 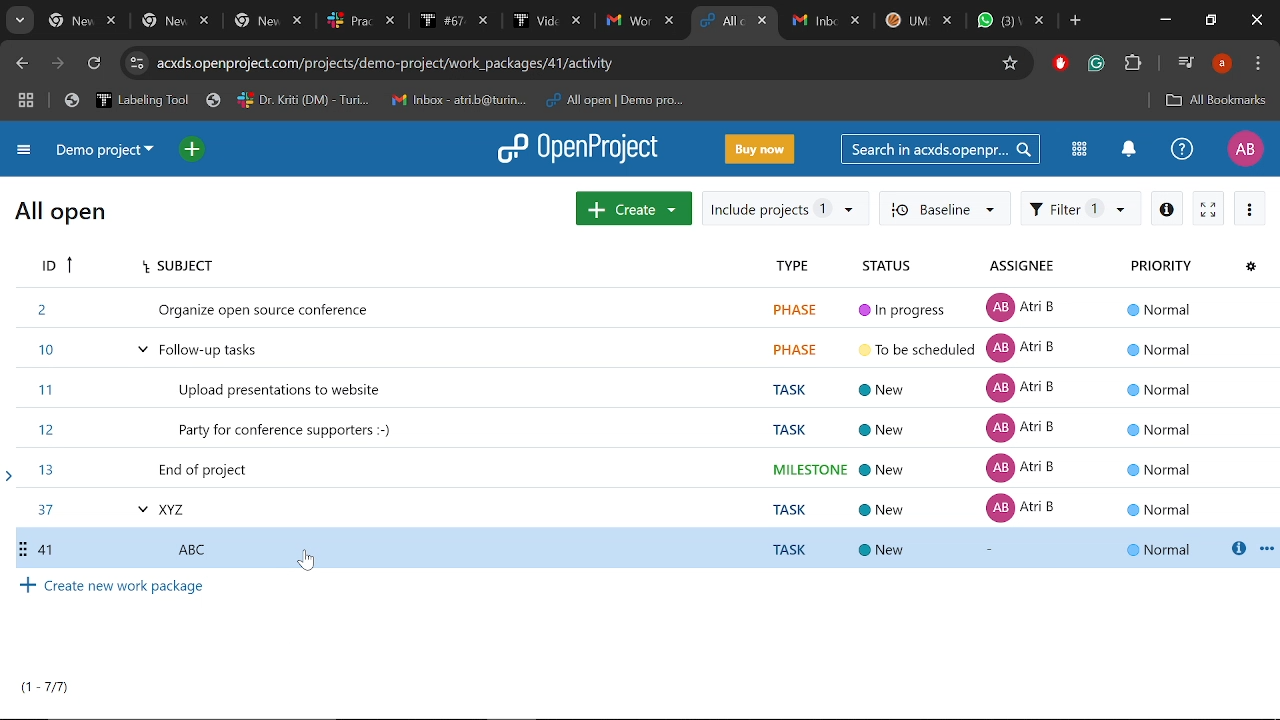 What do you see at coordinates (906, 266) in the screenshot?
I see `Status` at bounding box center [906, 266].